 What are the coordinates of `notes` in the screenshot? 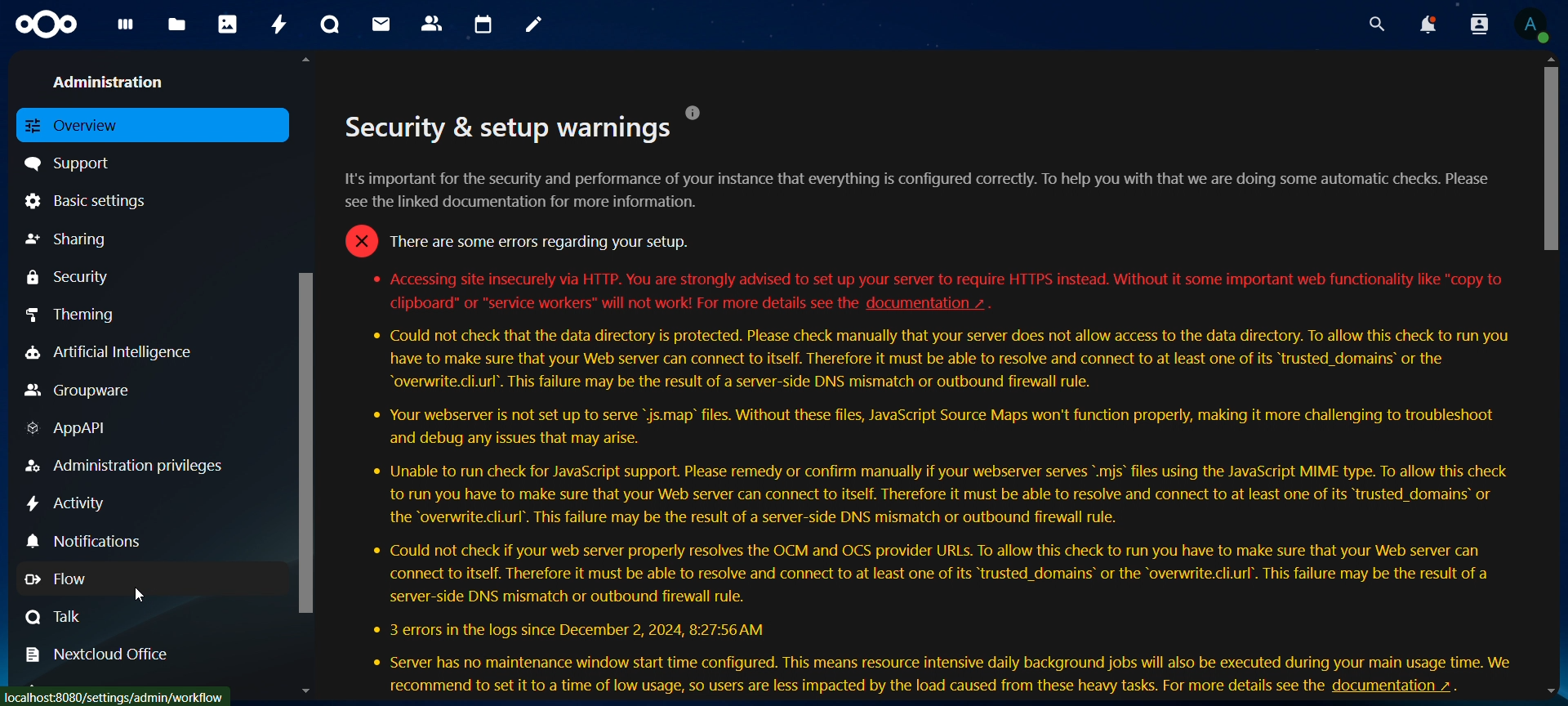 It's located at (537, 25).